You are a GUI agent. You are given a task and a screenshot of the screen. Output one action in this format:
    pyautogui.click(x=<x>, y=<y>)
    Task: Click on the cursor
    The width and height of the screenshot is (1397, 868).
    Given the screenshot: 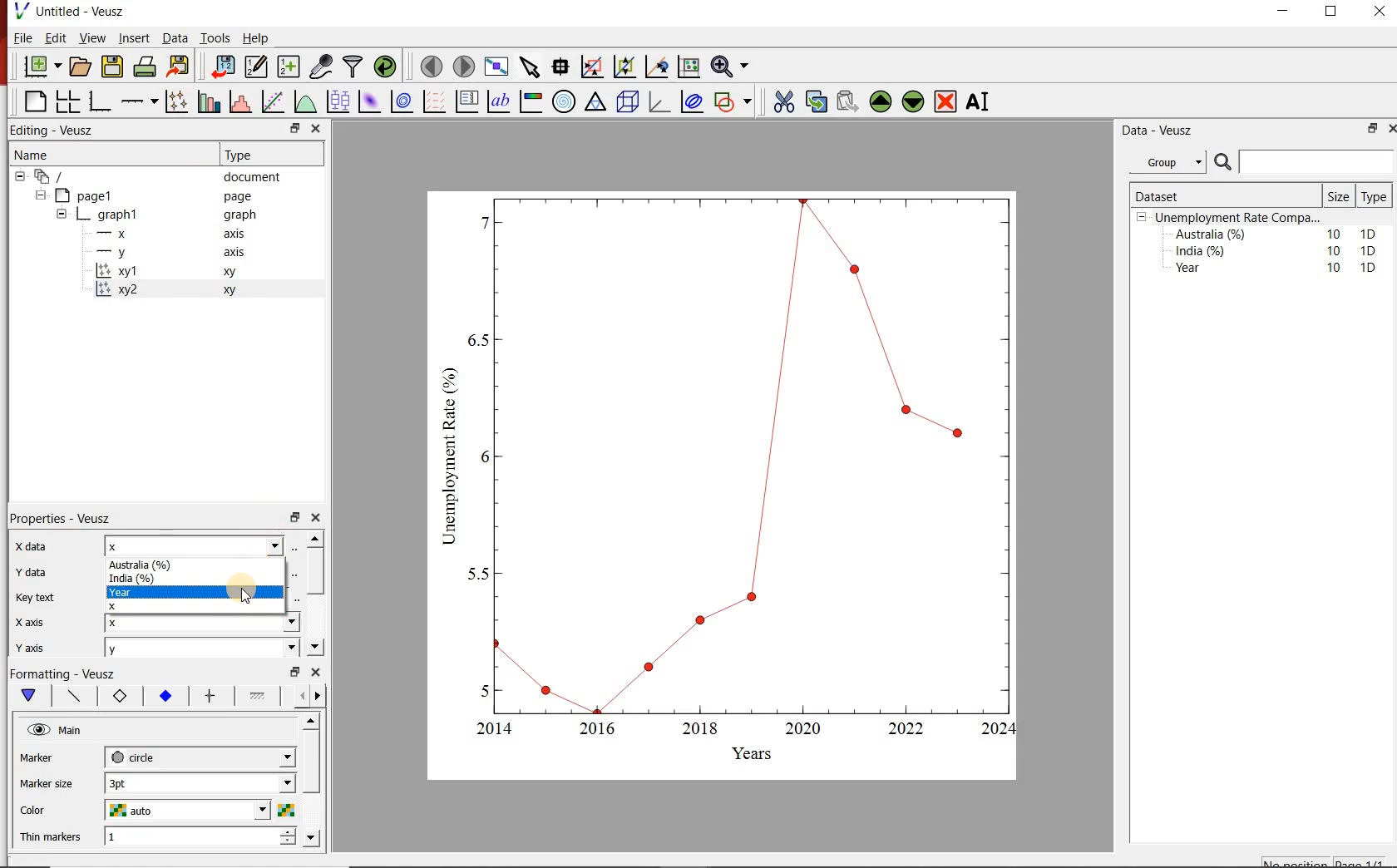 What is the action you would take?
    pyautogui.click(x=240, y=600)
    